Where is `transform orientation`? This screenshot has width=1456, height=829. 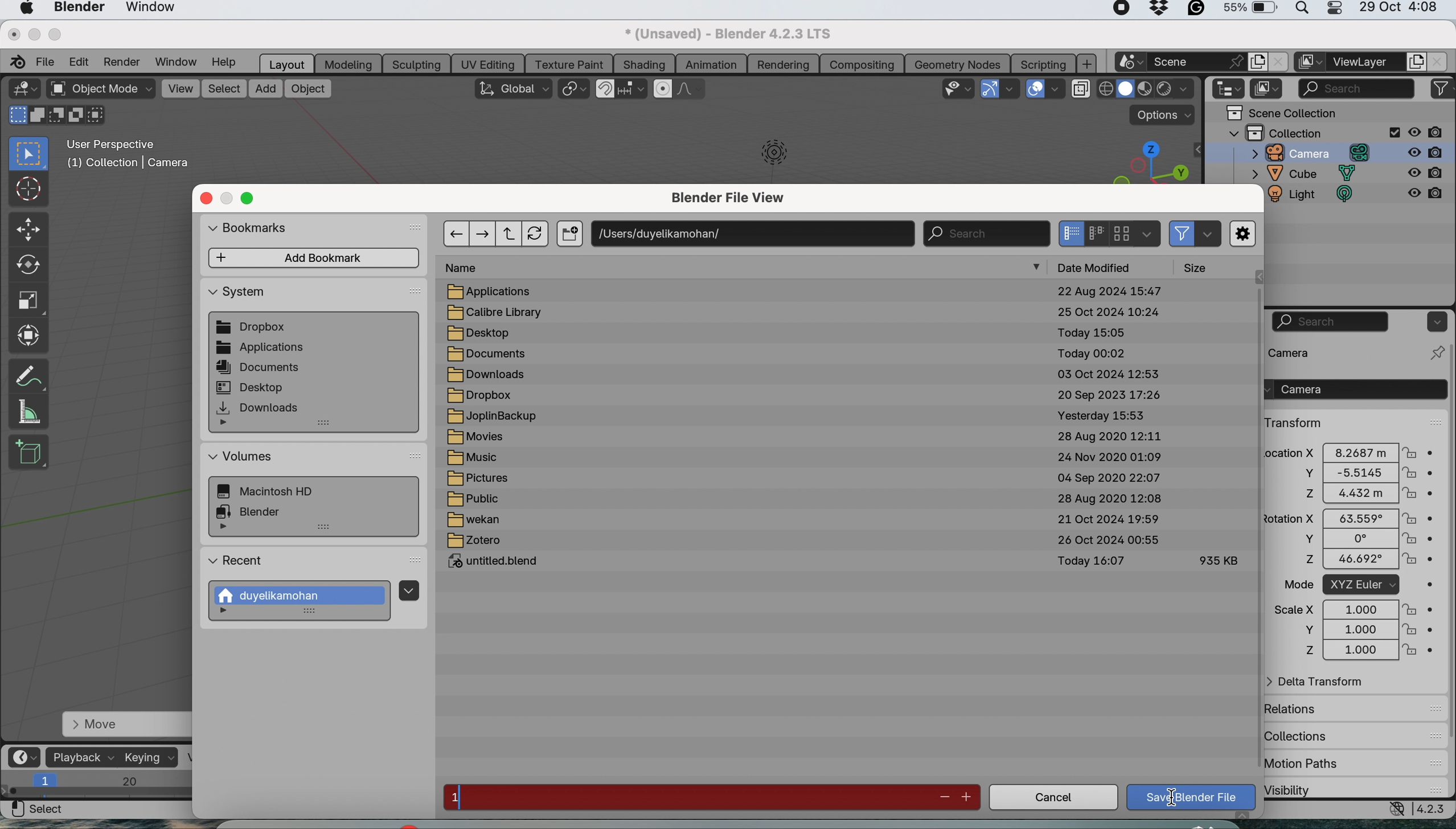 transform orientation is located at coordinates (513, 88).